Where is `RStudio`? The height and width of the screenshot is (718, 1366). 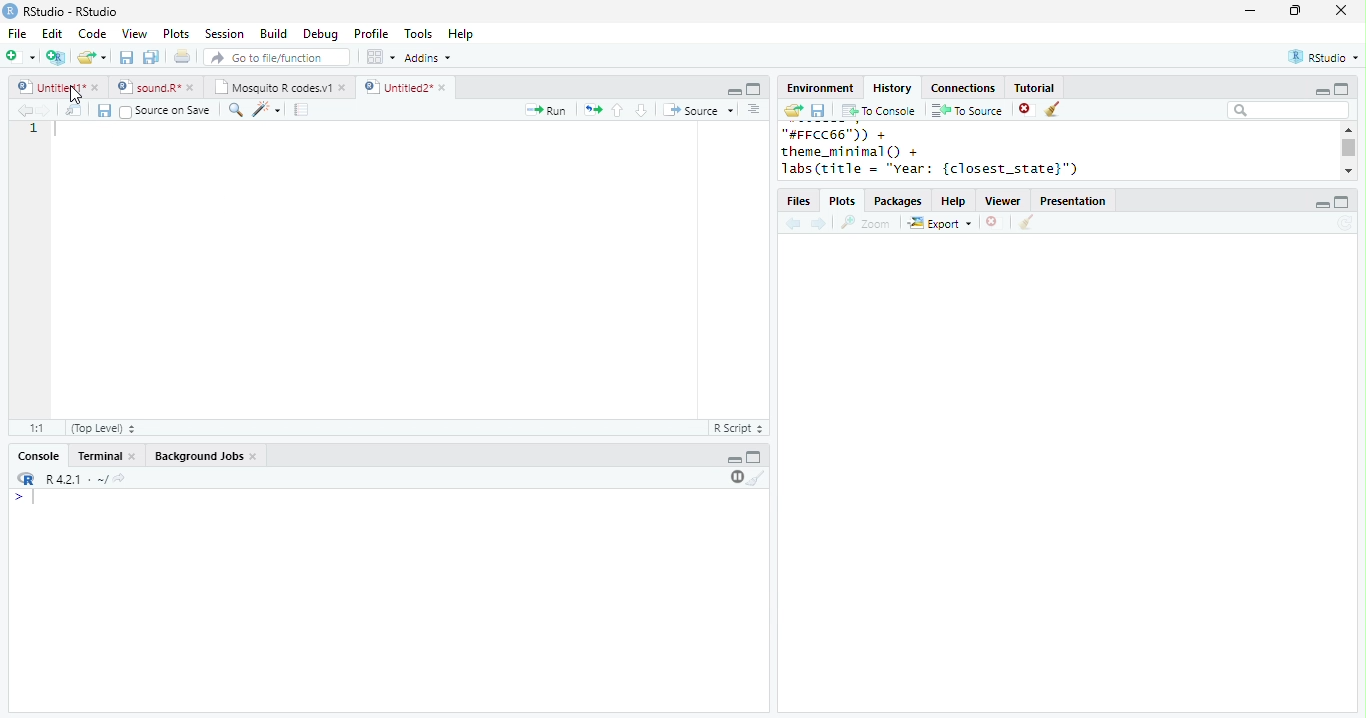 RStudio is located at coordinates (1326, 56).